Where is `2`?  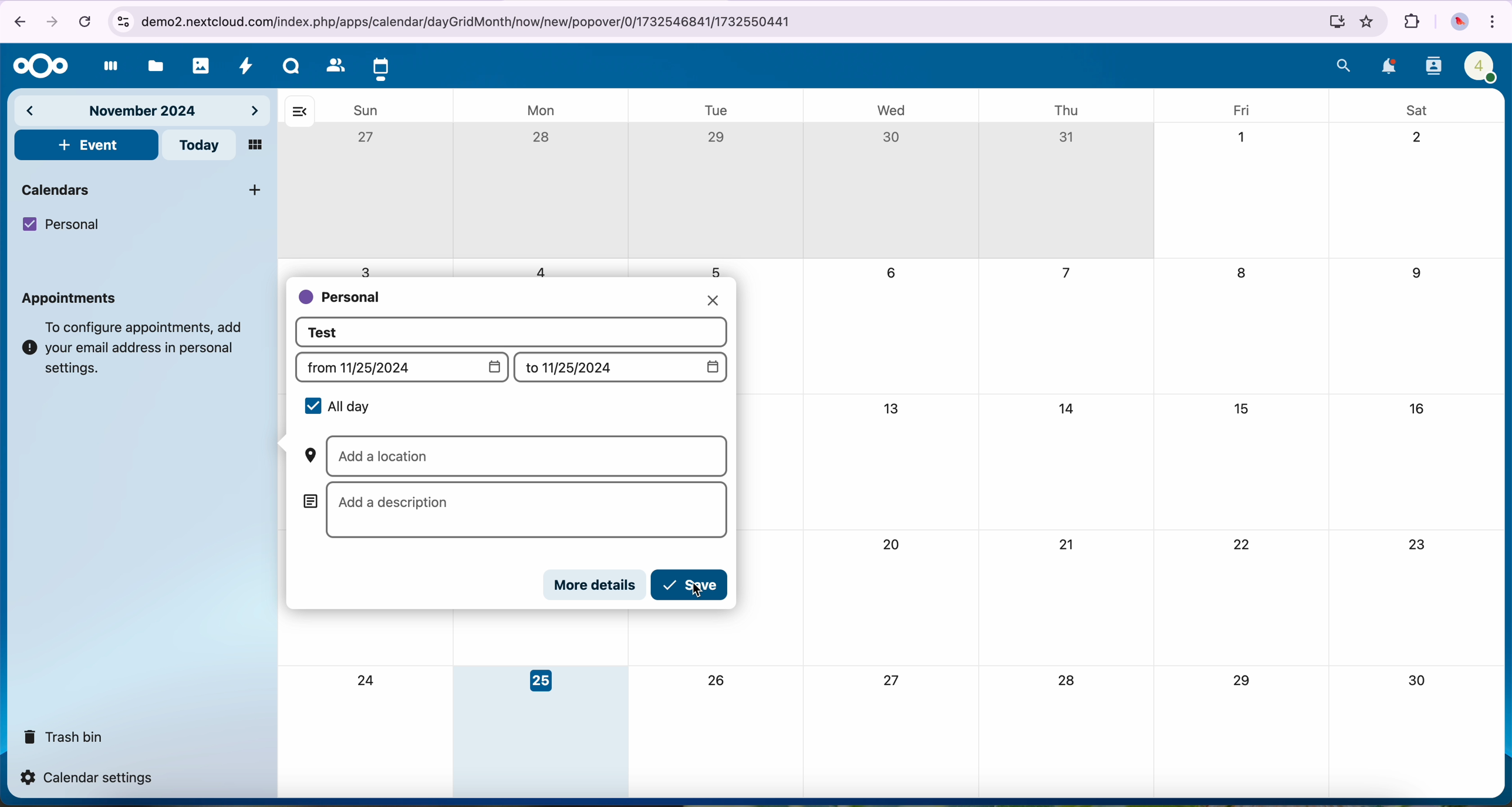
2 is located at coordinates (1418, 138).